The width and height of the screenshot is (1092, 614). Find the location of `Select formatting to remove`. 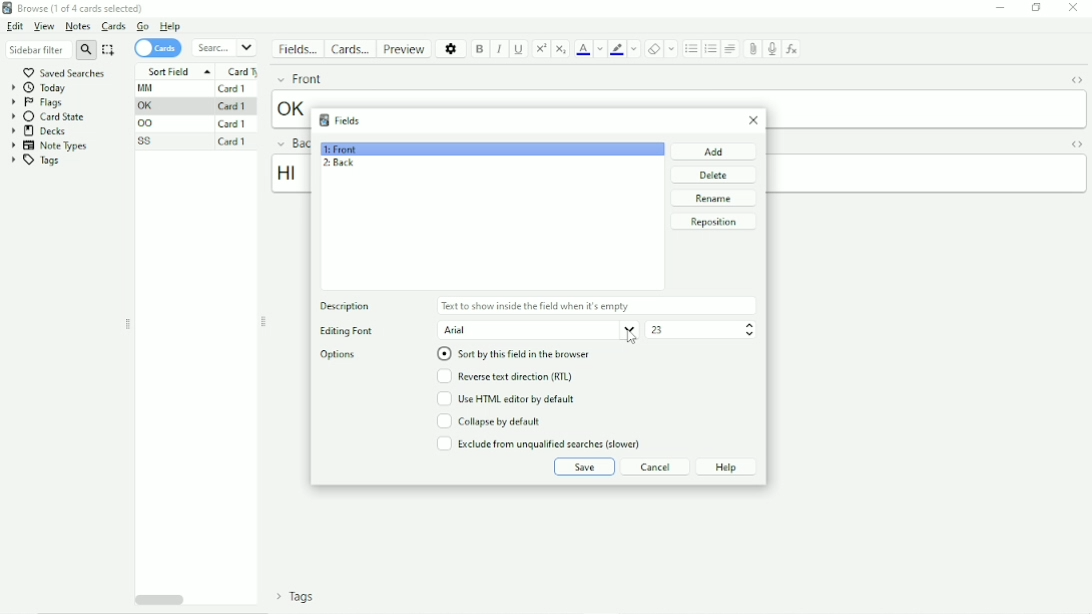

Select formatting to remove is located at coordinates (672, 48).